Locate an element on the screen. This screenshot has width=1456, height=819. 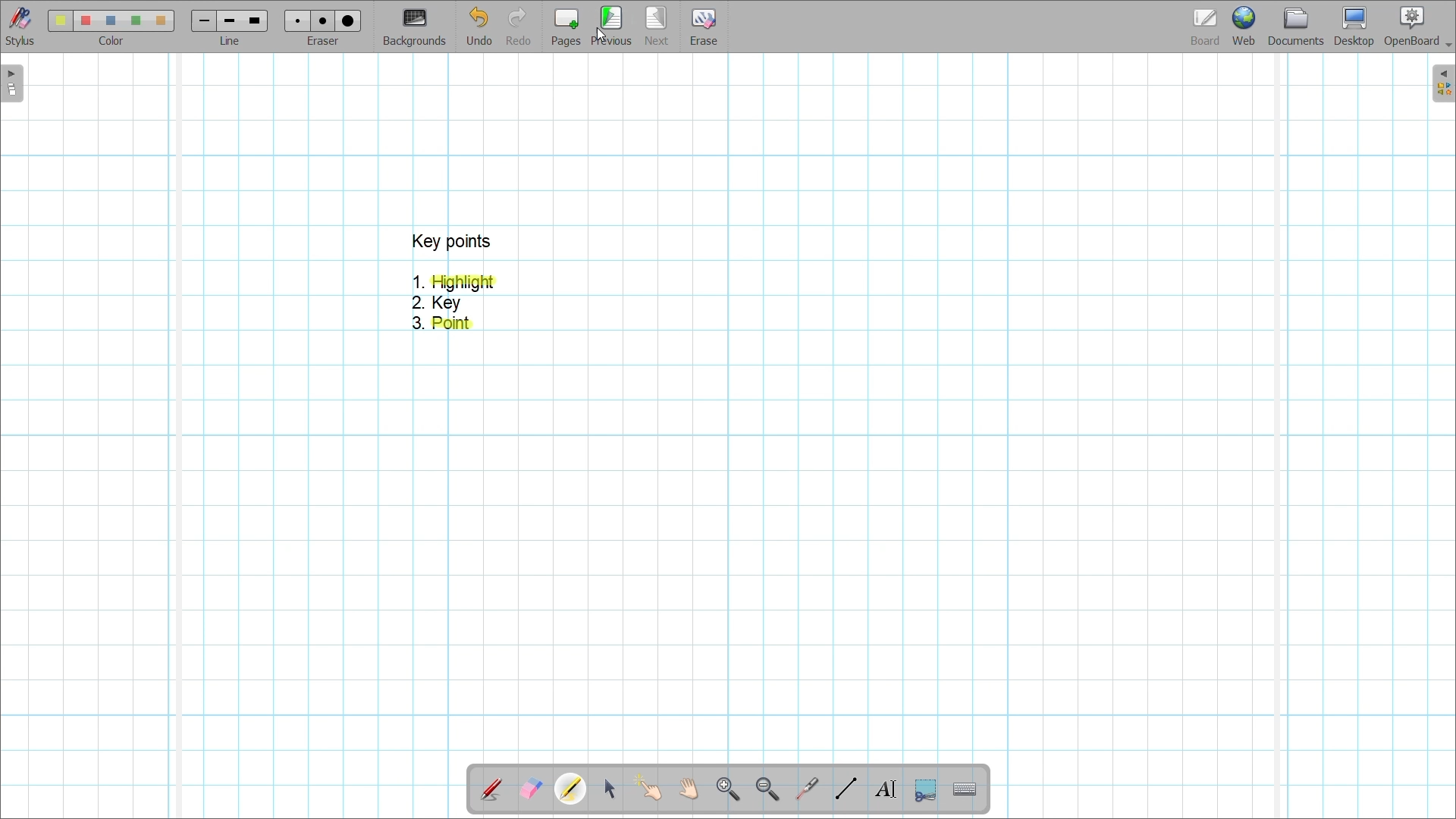
Use virtual laser is located at coordinates (806, 789).